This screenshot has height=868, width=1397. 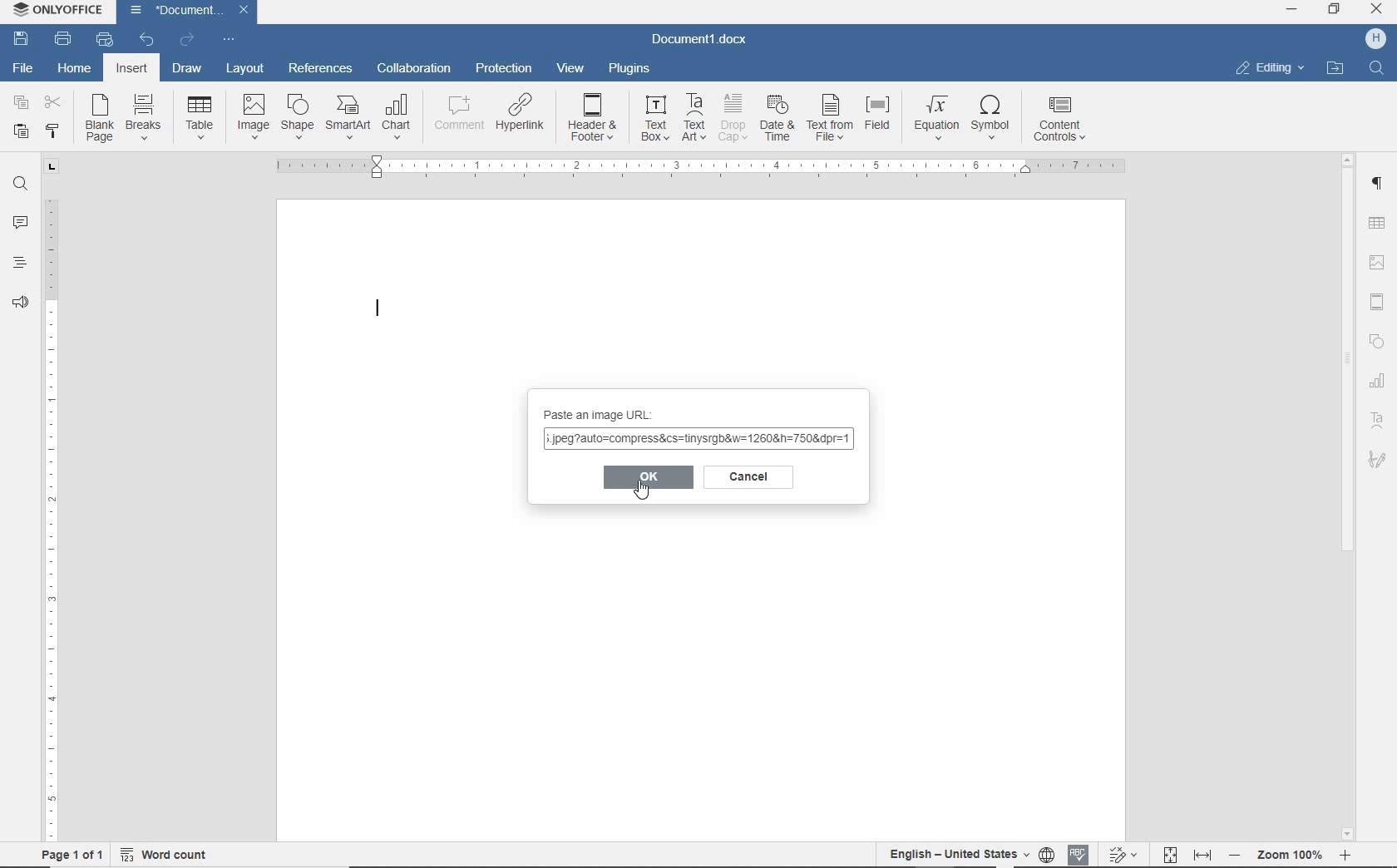 I want to click on ruler, so click(x=55, y=501).